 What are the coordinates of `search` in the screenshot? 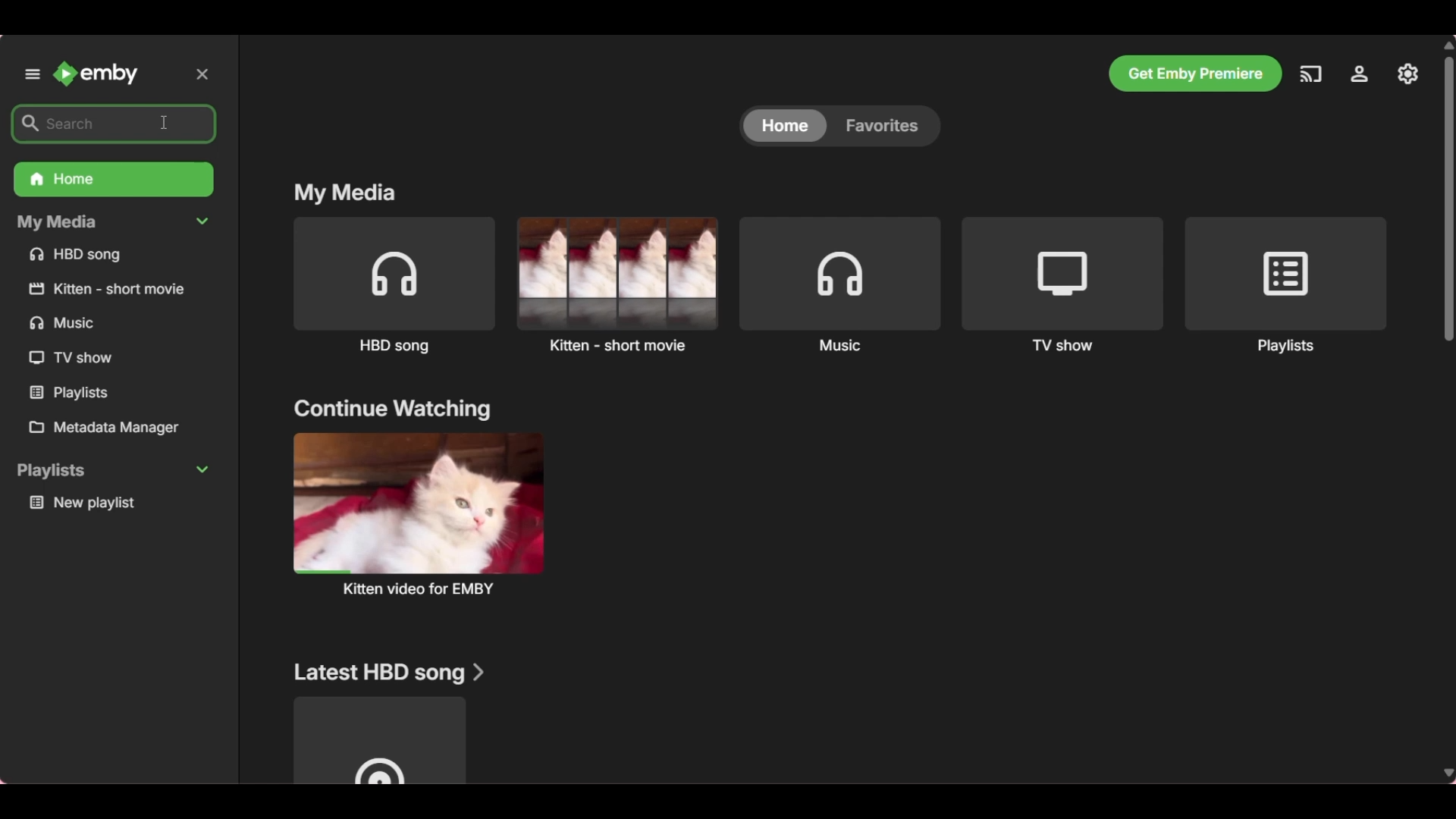 It's located at (80, 124).